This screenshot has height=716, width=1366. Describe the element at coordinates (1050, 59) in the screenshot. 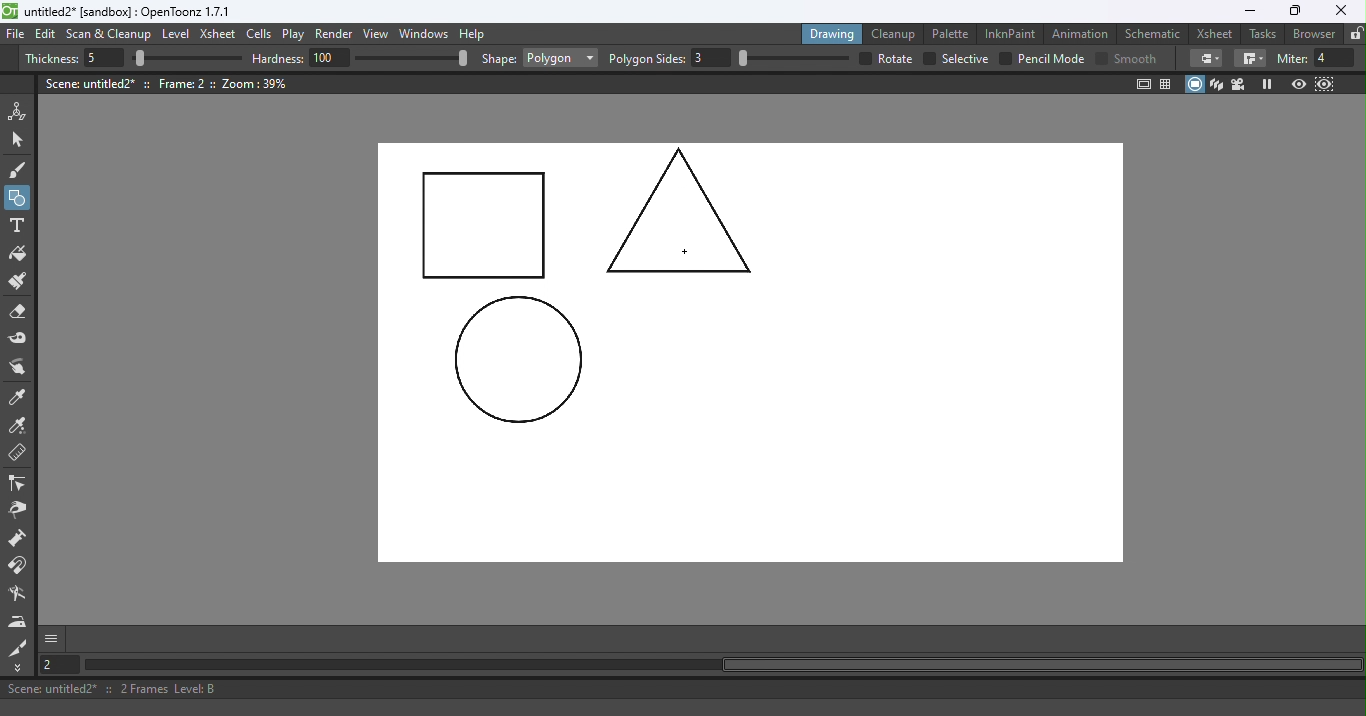

I see `Pencil mode` at that location.